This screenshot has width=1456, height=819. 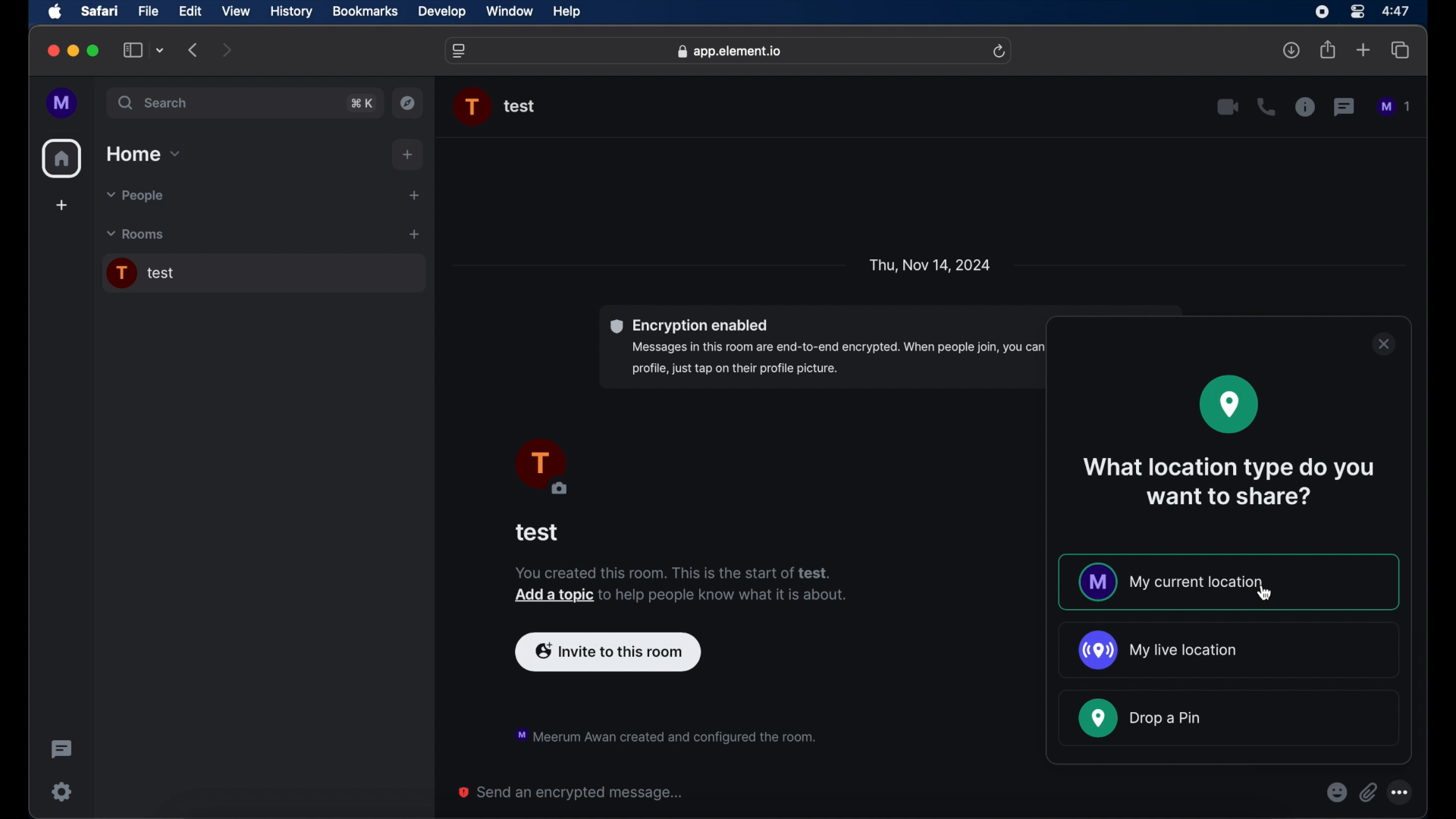 What do you see at coordinates (511, 12) in the screenshot?
I see `window` at bounding box center [511, 12].